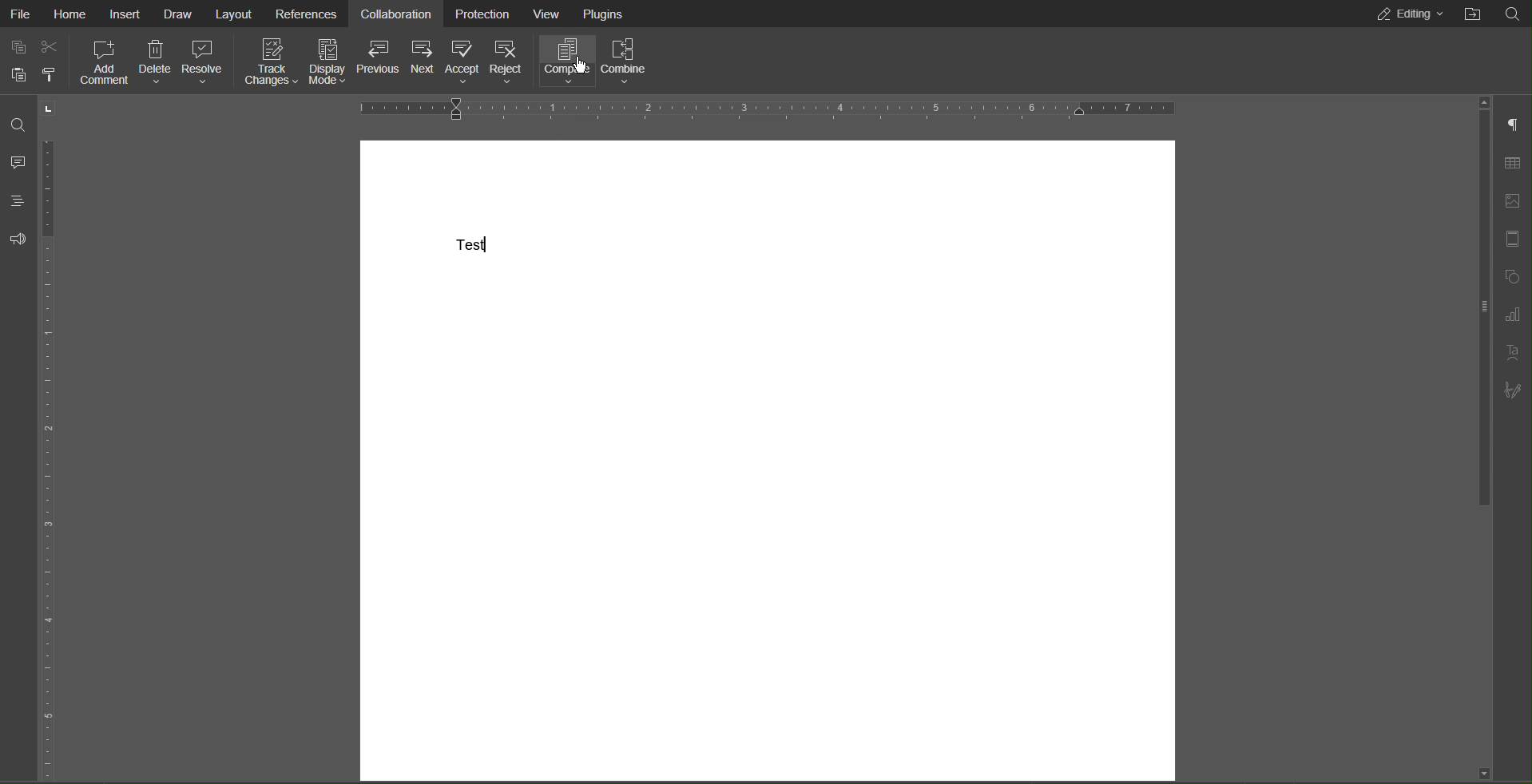 Image resolution: width=1532 pixels, height=784 pixels. Describe the element at coordinates (73, 14) in the screenshot. I see `Home` at that location.